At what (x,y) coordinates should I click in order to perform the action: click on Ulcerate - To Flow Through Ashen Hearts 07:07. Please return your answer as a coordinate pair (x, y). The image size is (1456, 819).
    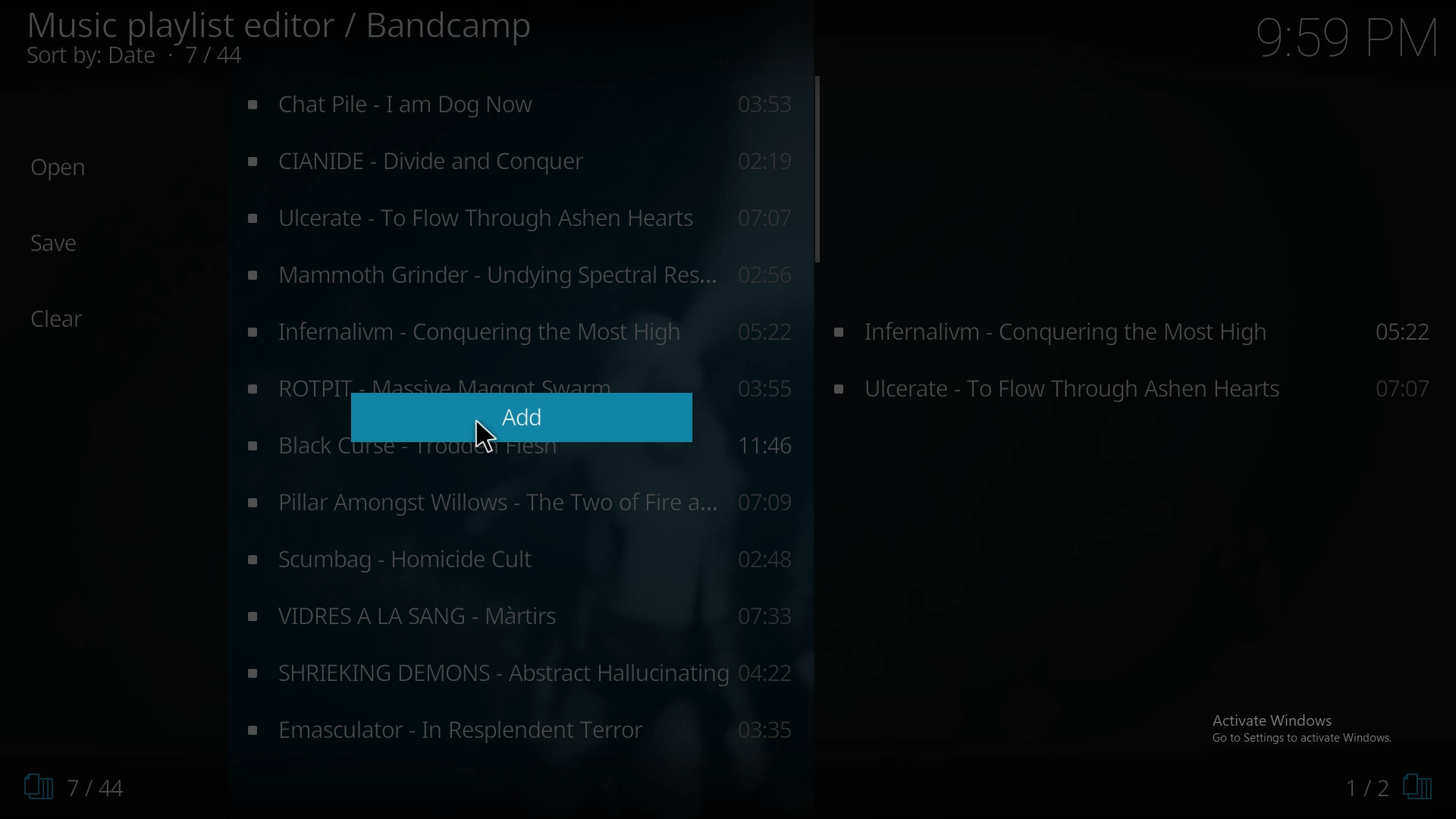
    Looking at the image, I should click on (1137, 391).